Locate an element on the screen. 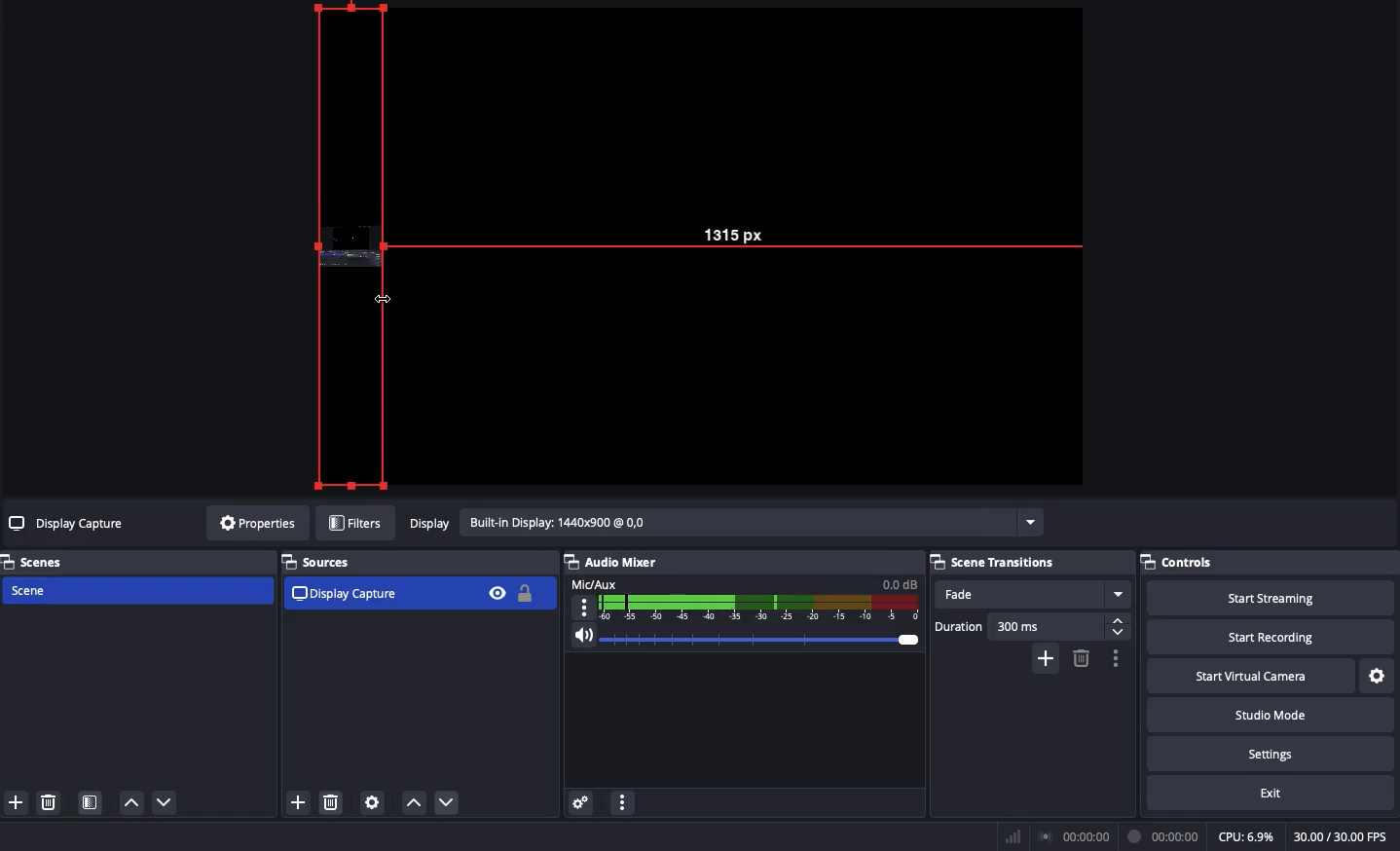 The height and width of the screenshot is (851, 1400). Scene is located at coordinates (135, 592).